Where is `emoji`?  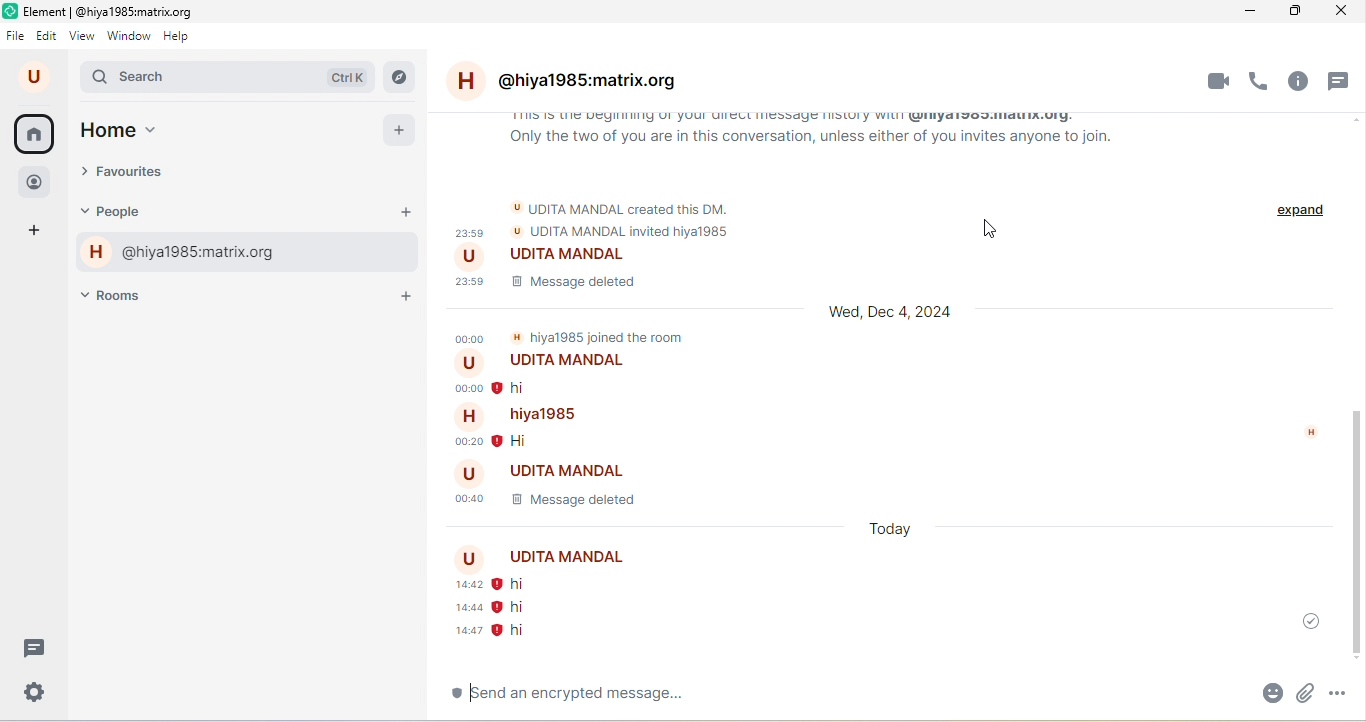
emoji is located at coordinates (1223, 693).